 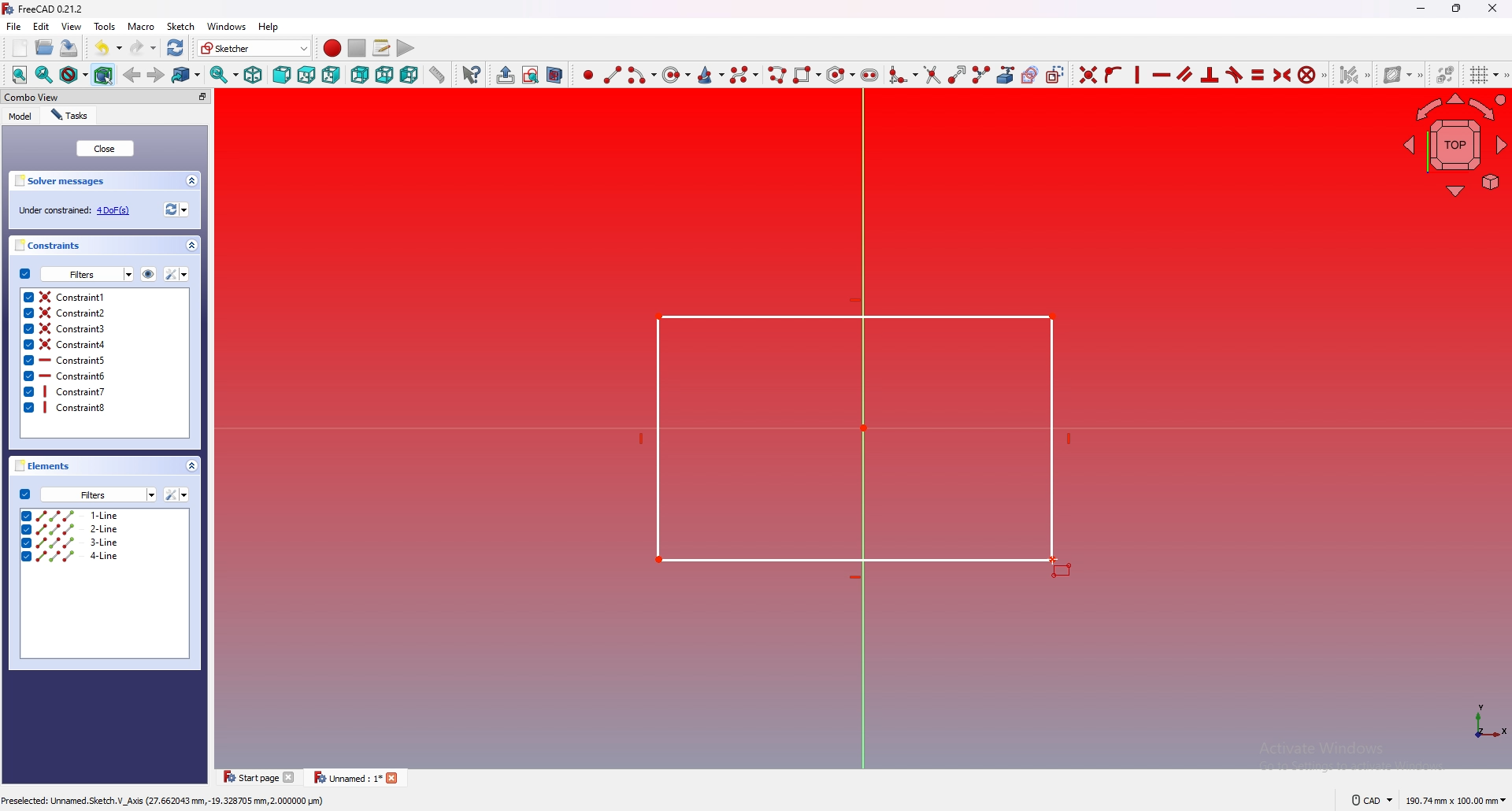 What do you see at coordinates (856, 437) in the screenshot?
I see `sketch area` at bounding box center [856, 437].